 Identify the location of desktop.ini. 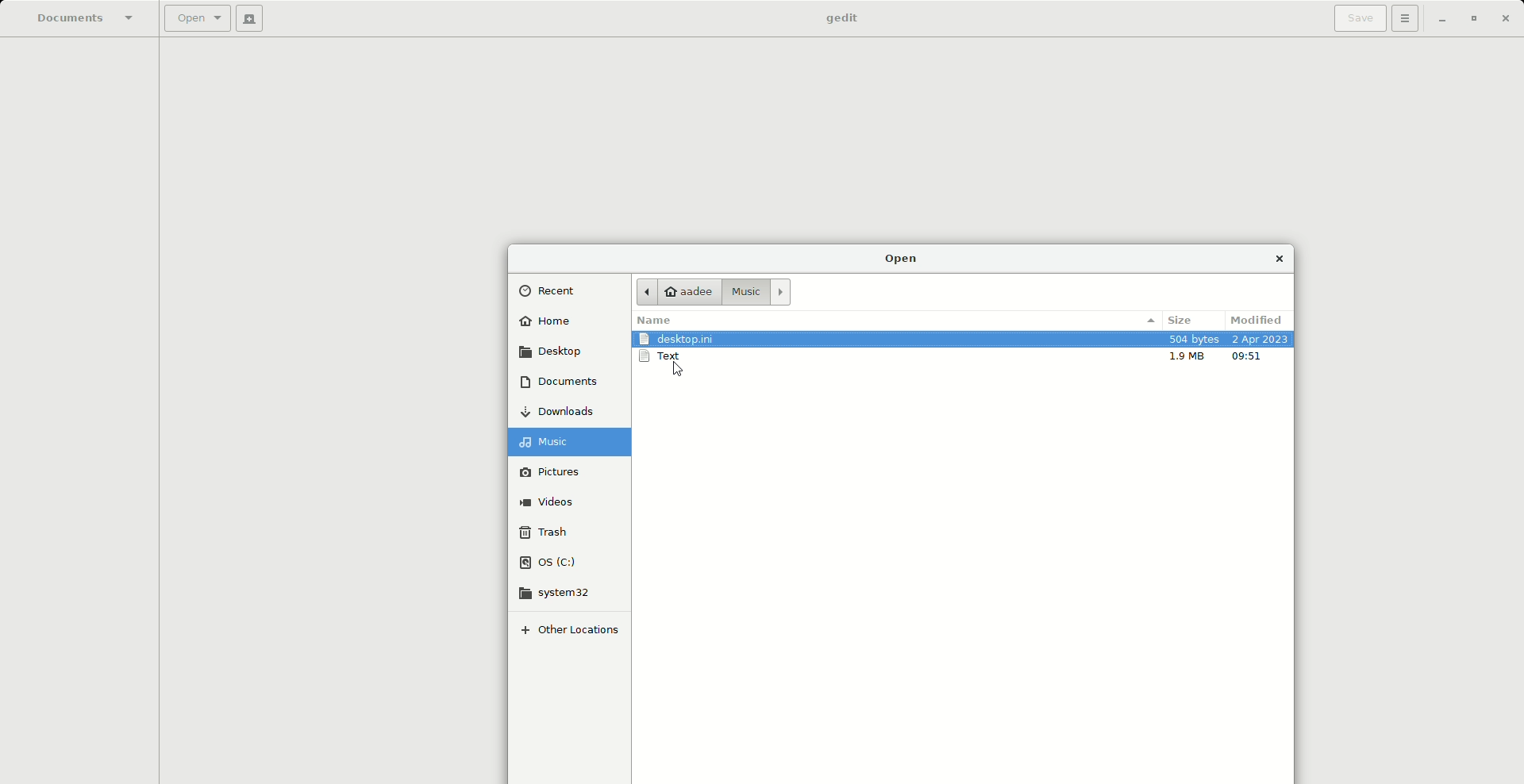
(681, 339).